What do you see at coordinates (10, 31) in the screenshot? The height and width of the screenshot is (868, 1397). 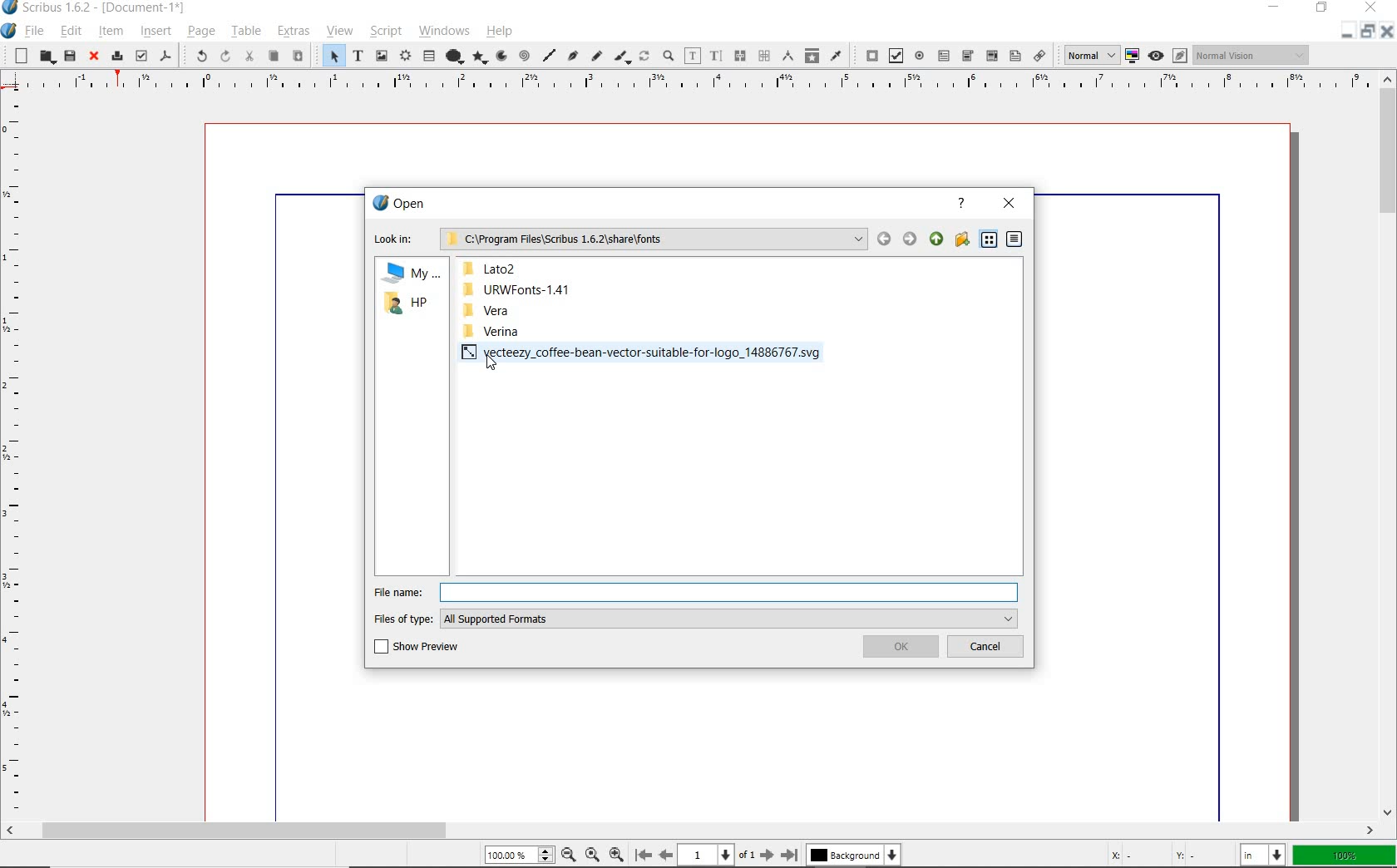 I see `system icon` at bounding box center [10, 31].